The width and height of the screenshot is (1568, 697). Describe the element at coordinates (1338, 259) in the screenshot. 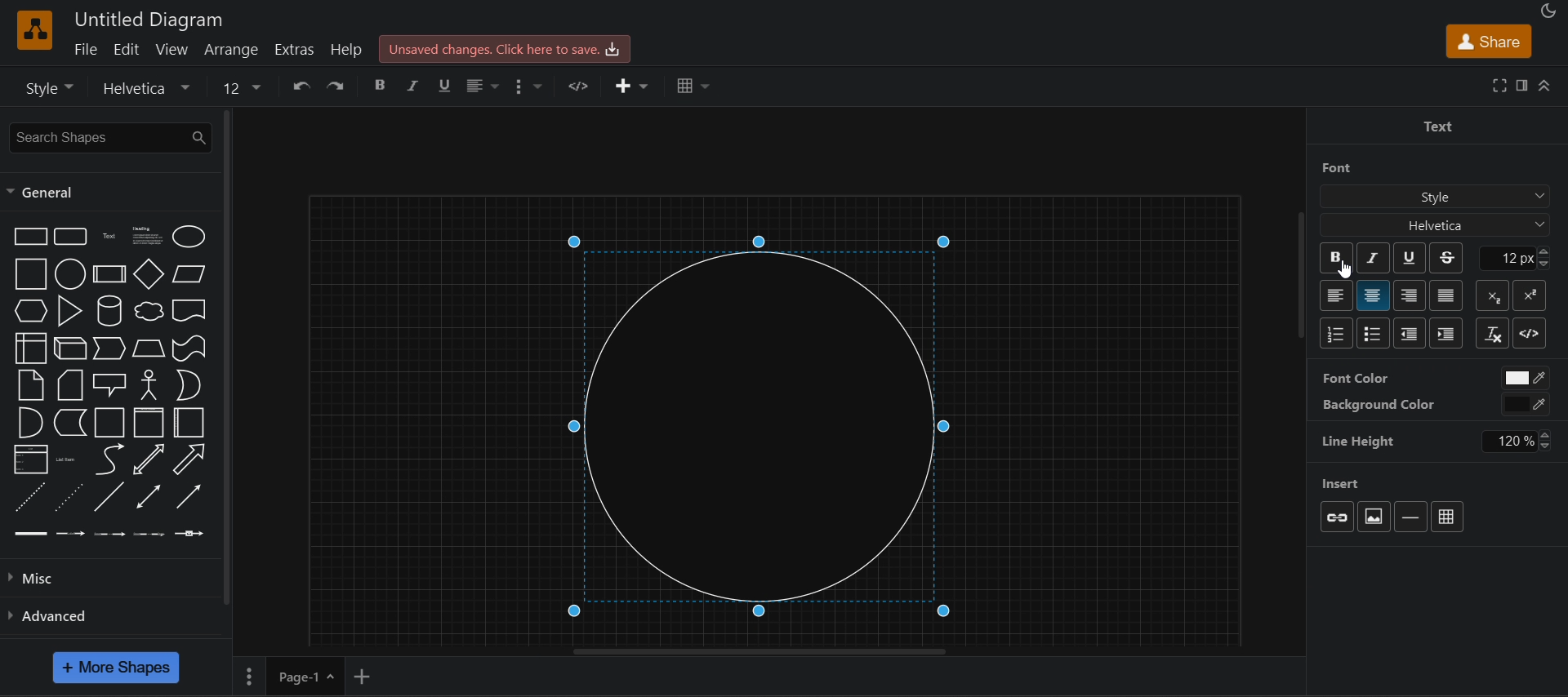

I see `bold` at that location.